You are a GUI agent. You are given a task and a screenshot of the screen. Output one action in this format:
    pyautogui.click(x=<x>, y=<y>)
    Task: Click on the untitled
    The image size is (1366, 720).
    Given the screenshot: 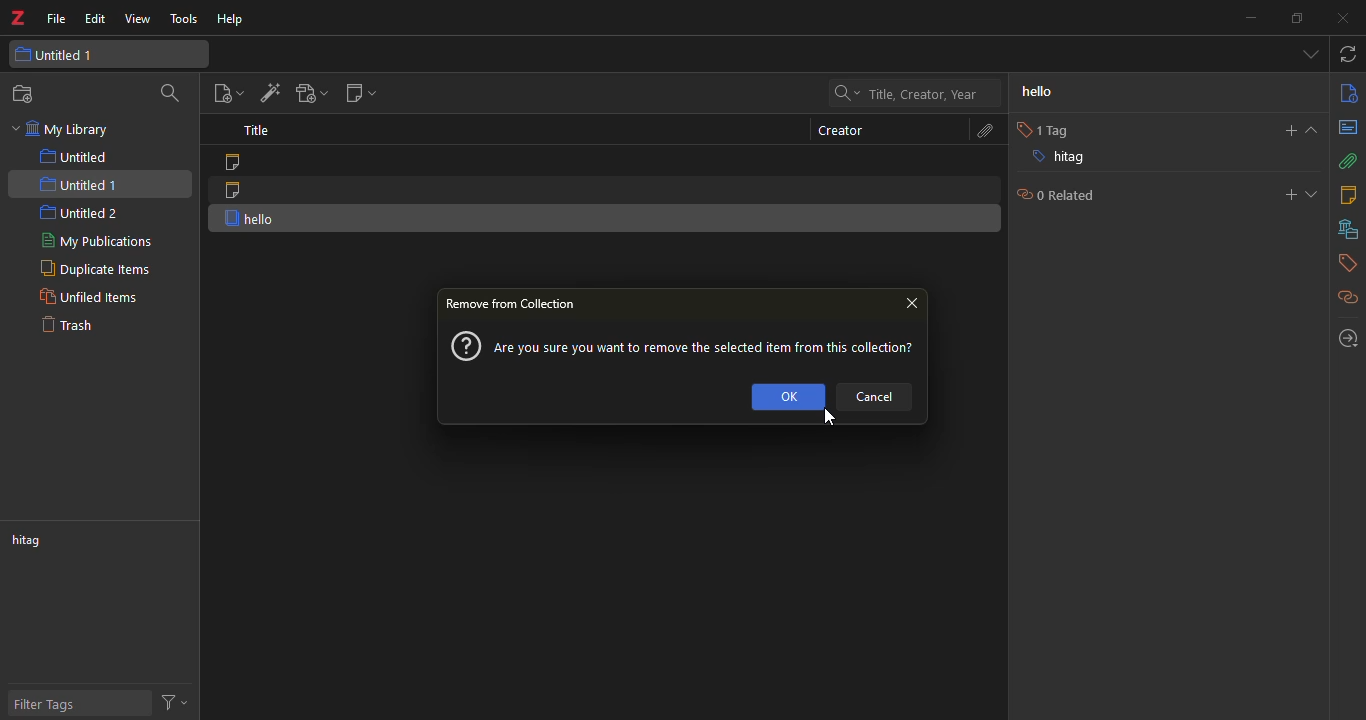 What is the action you would take?
    pyautogui.click(x=79, y=157)
    